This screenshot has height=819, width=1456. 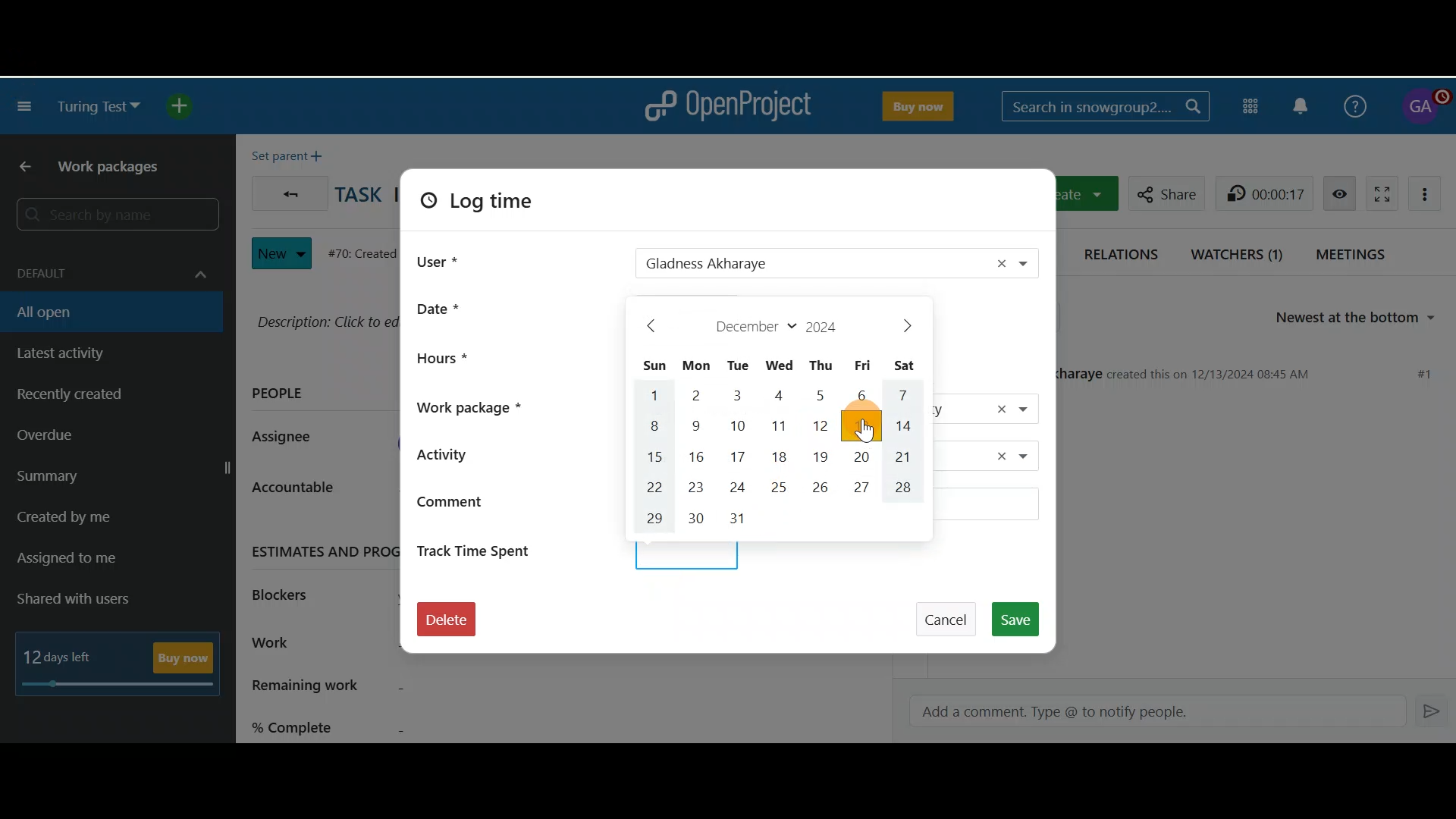 What do you see at coordinates (1033, 408) in the screenshot?
I see `Work package drop down` at bounding box center [1033, 408].